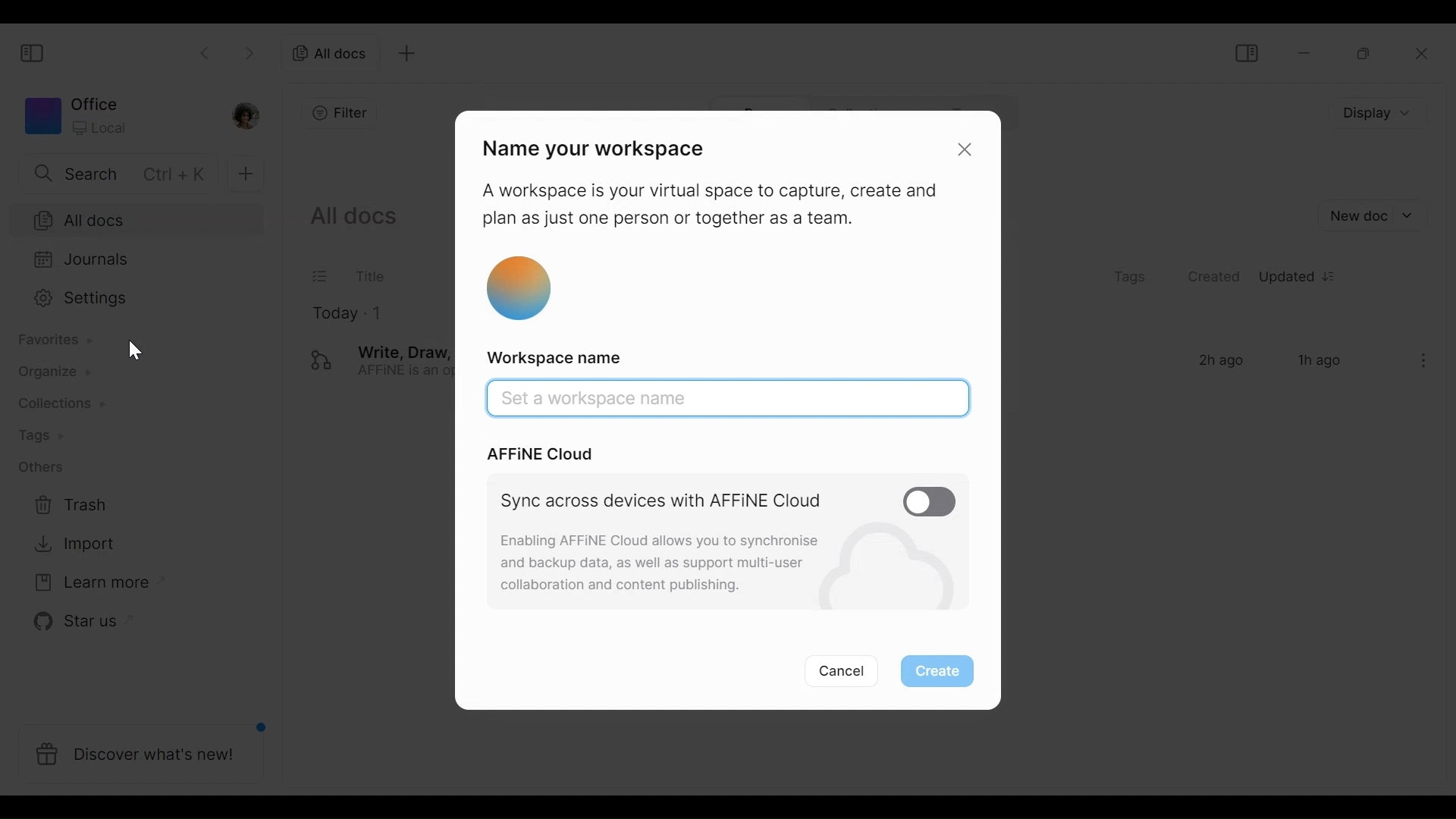 The image size is (1456, 819). Describe the element at coordinates (716, 209) in the screenshot. I see `A workspace is your virtual space to capture, create and
plan as just one person or together as a team.` at that location.